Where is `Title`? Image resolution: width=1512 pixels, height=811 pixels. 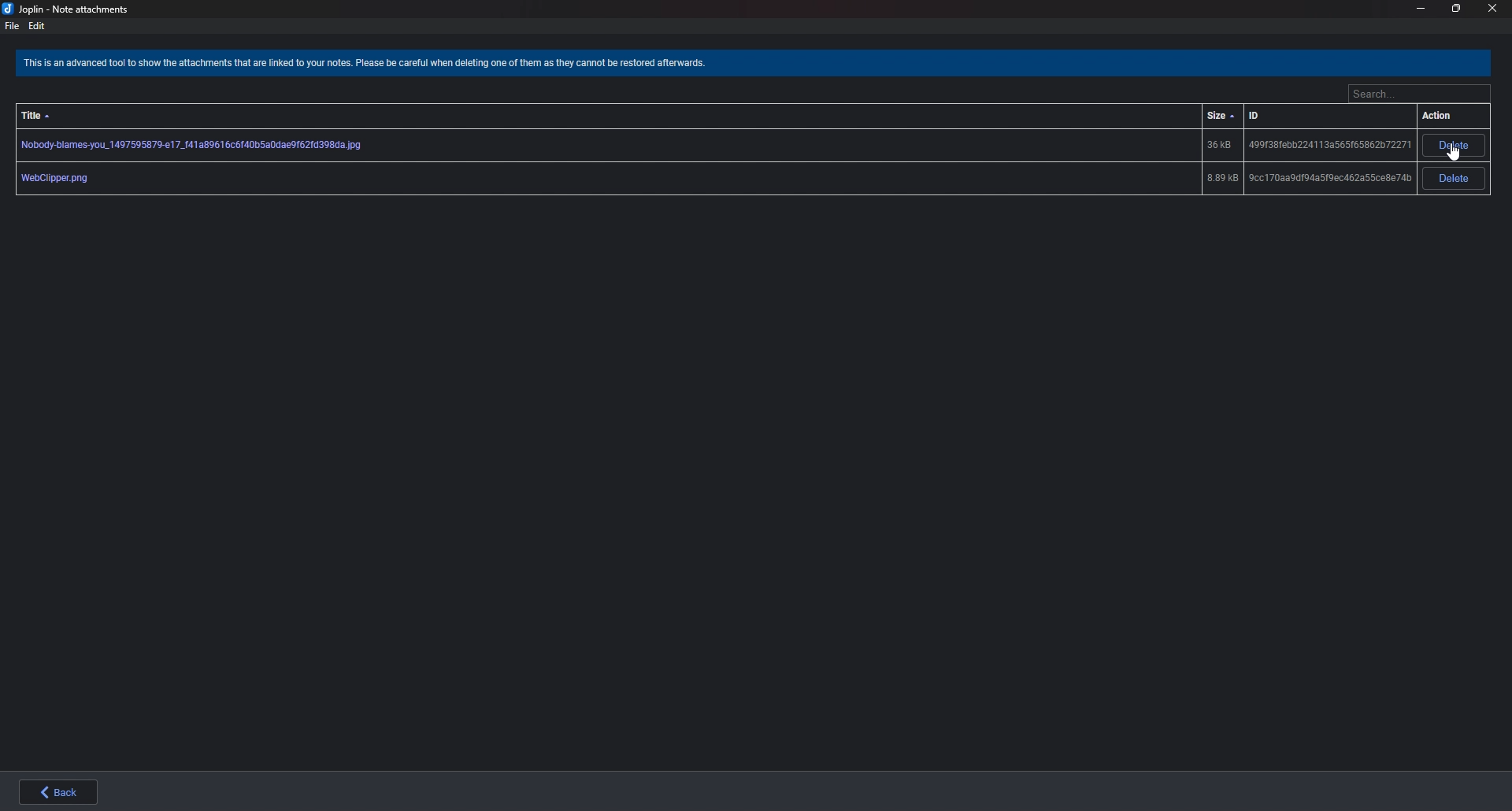
Title is located at coordinates (48, 109).